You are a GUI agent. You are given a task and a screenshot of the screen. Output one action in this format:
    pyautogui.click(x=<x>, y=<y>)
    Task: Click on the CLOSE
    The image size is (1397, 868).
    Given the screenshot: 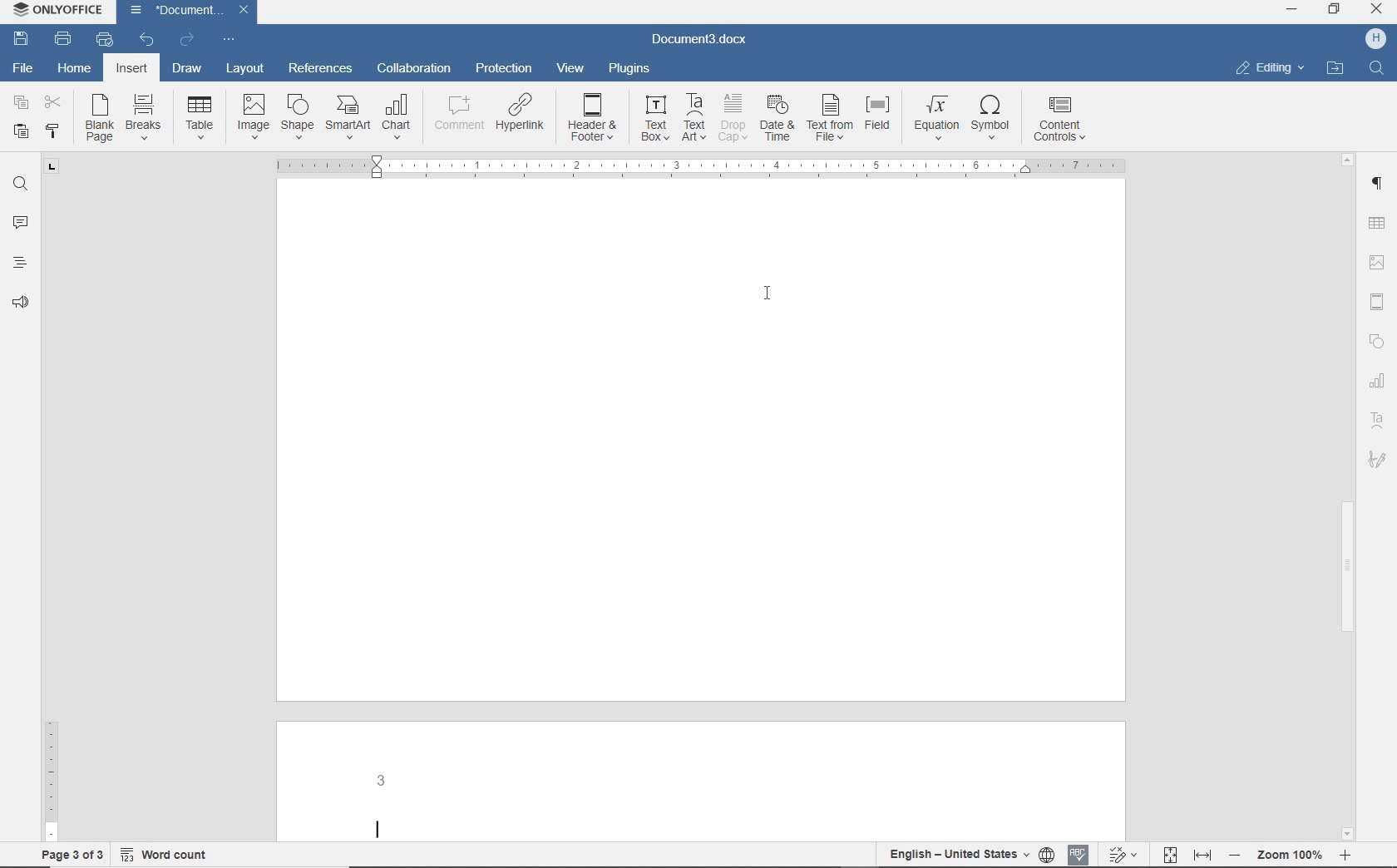 What is the action you would take?
    pyautogui.click(x=1377, y=12)
    